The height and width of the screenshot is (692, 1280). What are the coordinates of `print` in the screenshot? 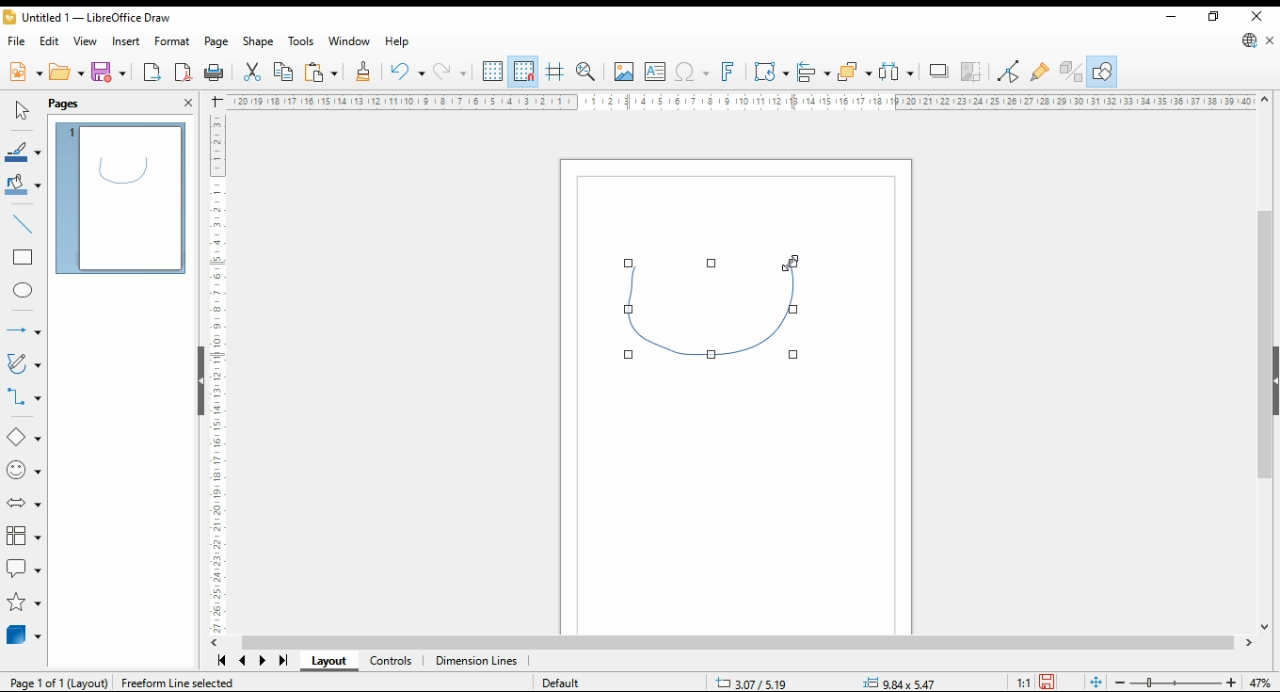 It's located at (216, 73).